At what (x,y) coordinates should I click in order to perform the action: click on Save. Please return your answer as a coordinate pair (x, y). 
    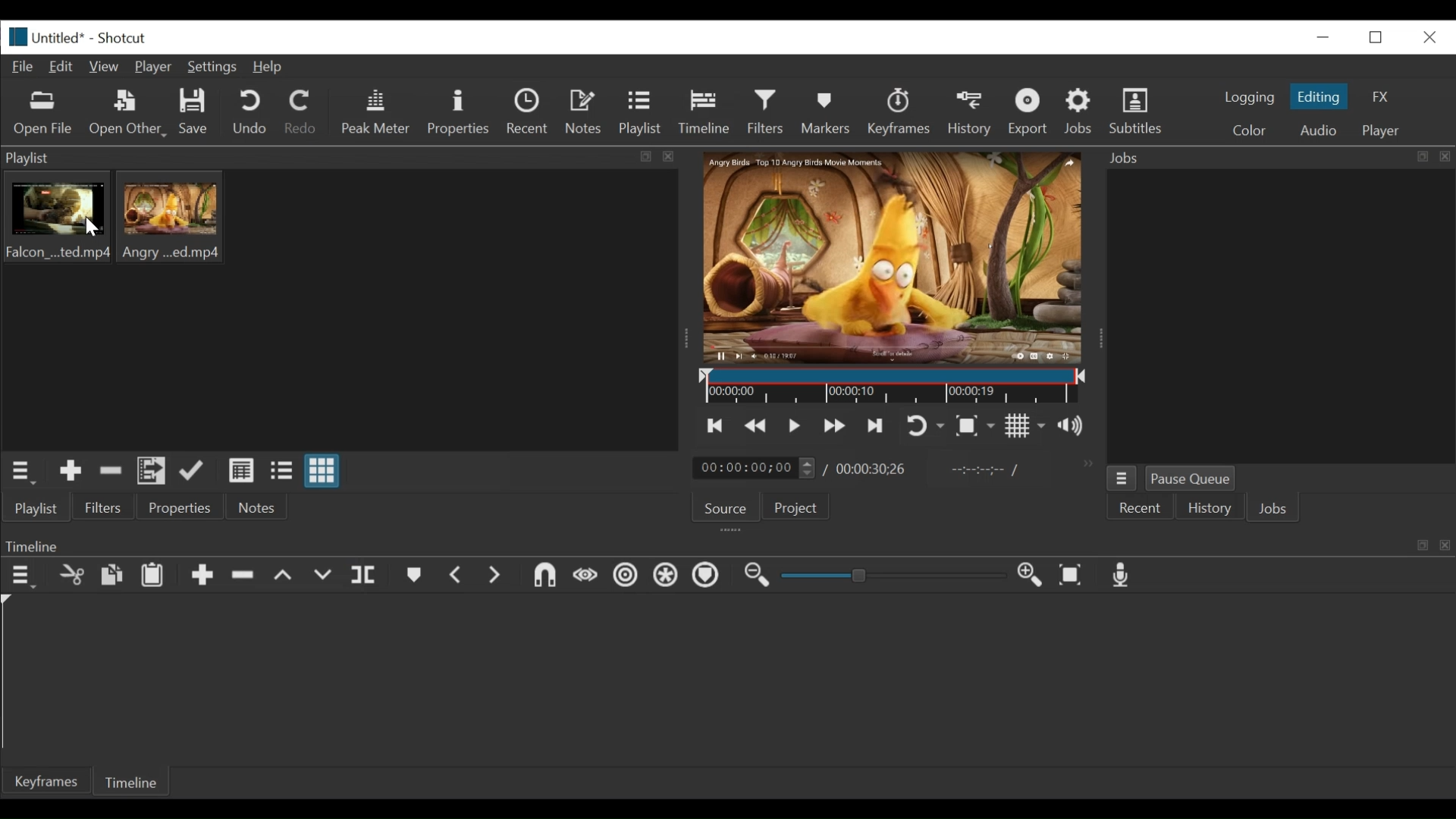
    Looking at the image, I should click on (194, 114).